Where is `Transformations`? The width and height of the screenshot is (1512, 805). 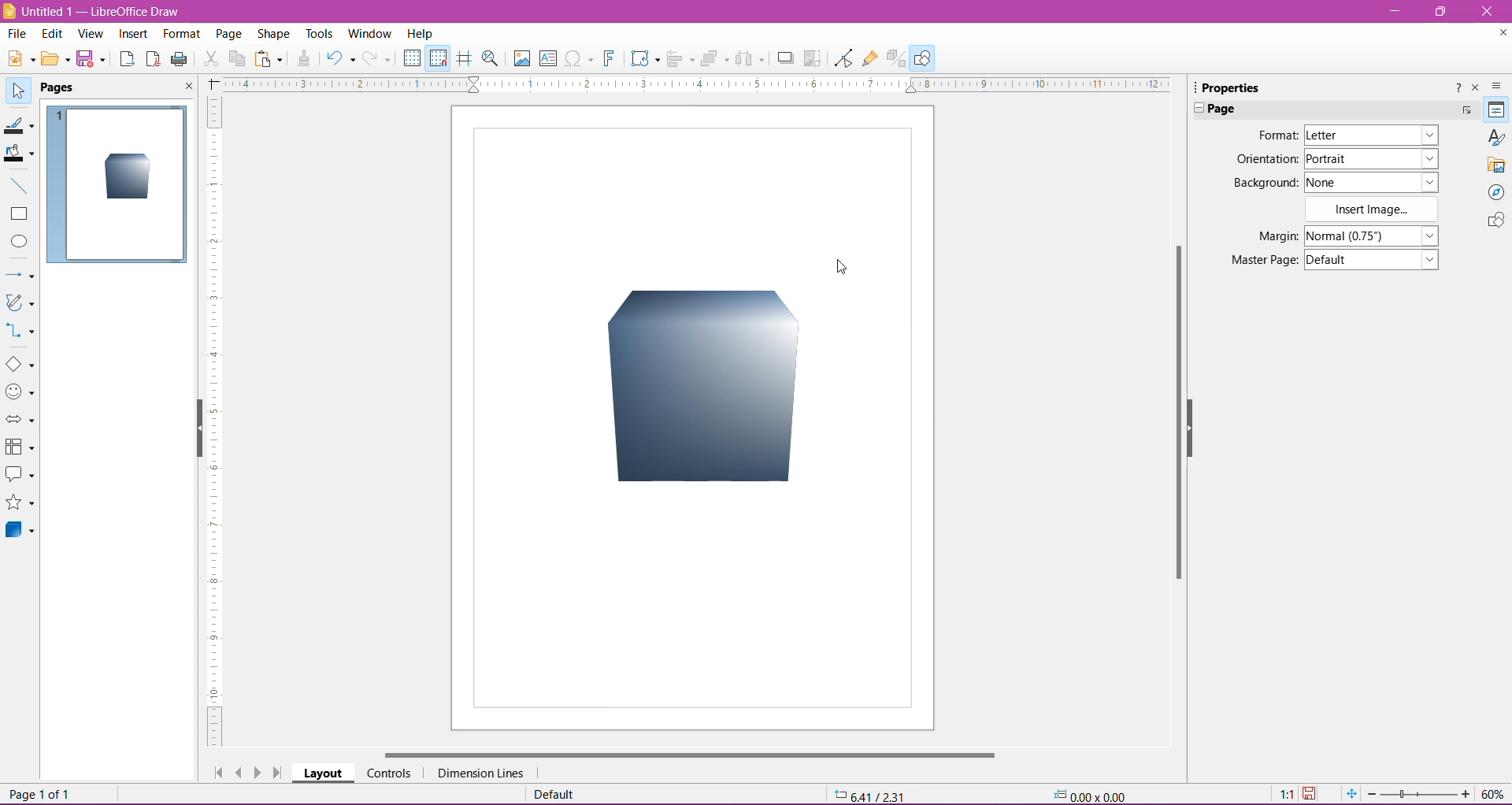 Transformations is located at coordinates (643, 58).